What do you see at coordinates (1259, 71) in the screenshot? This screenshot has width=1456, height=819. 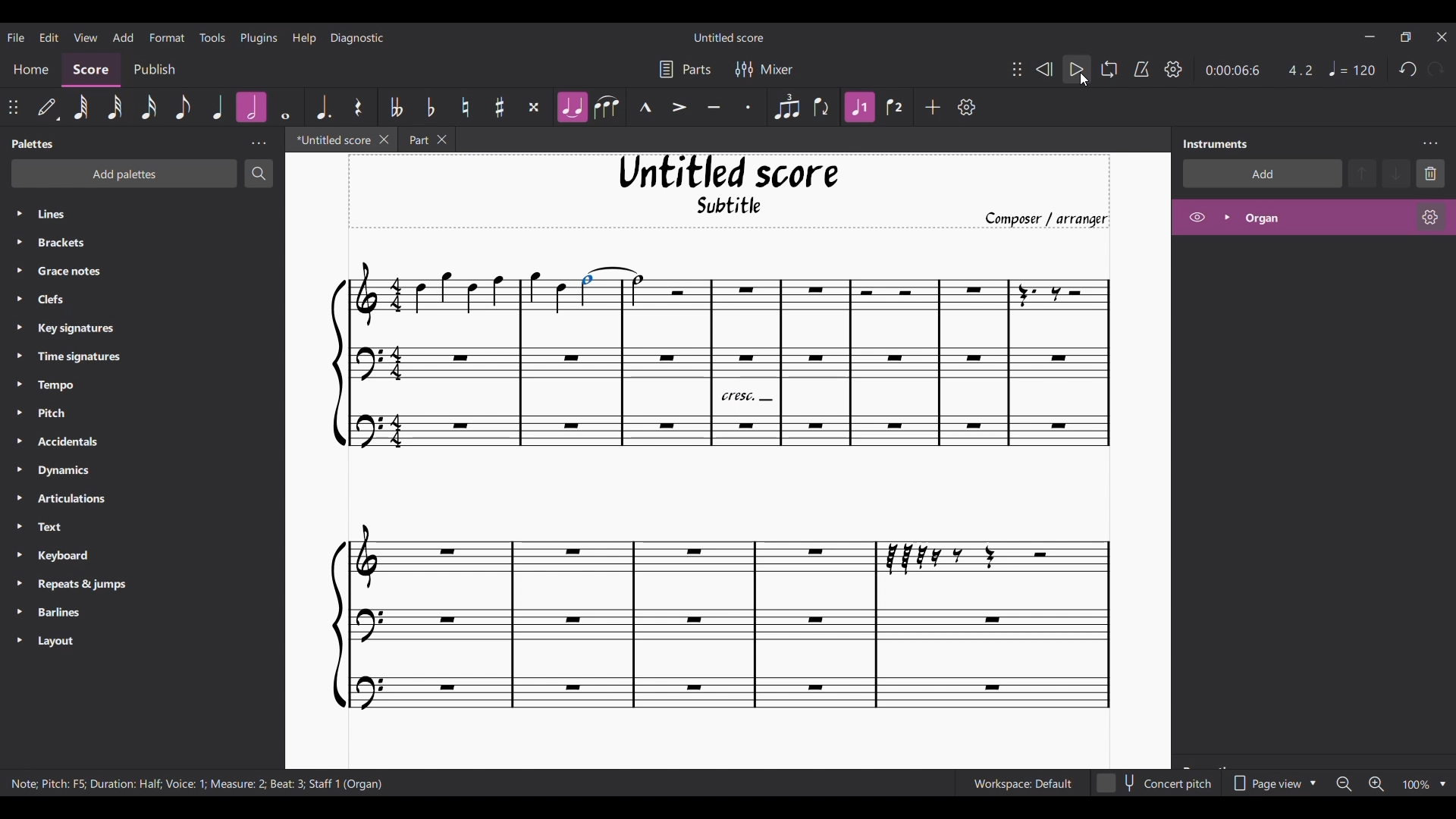 I see `Current duration and ratio` at bounding box center [1259, 71].